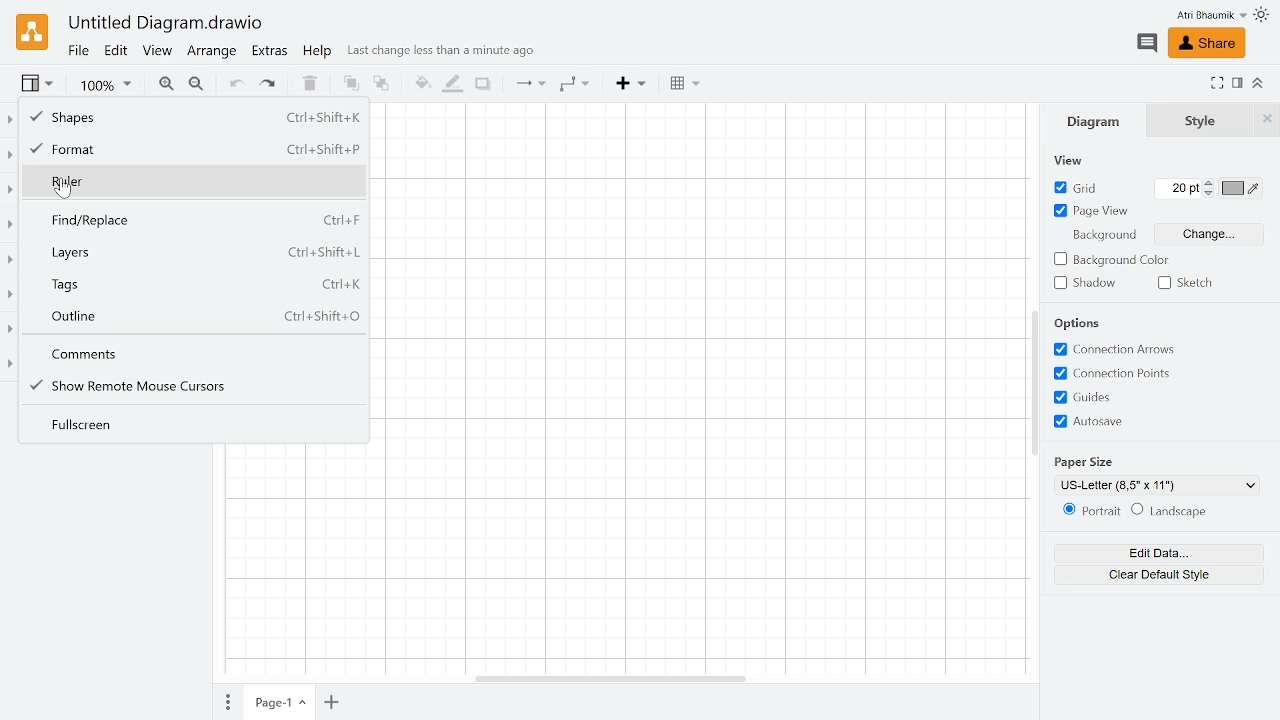  I want to click on Shadow, so click(483, 85).